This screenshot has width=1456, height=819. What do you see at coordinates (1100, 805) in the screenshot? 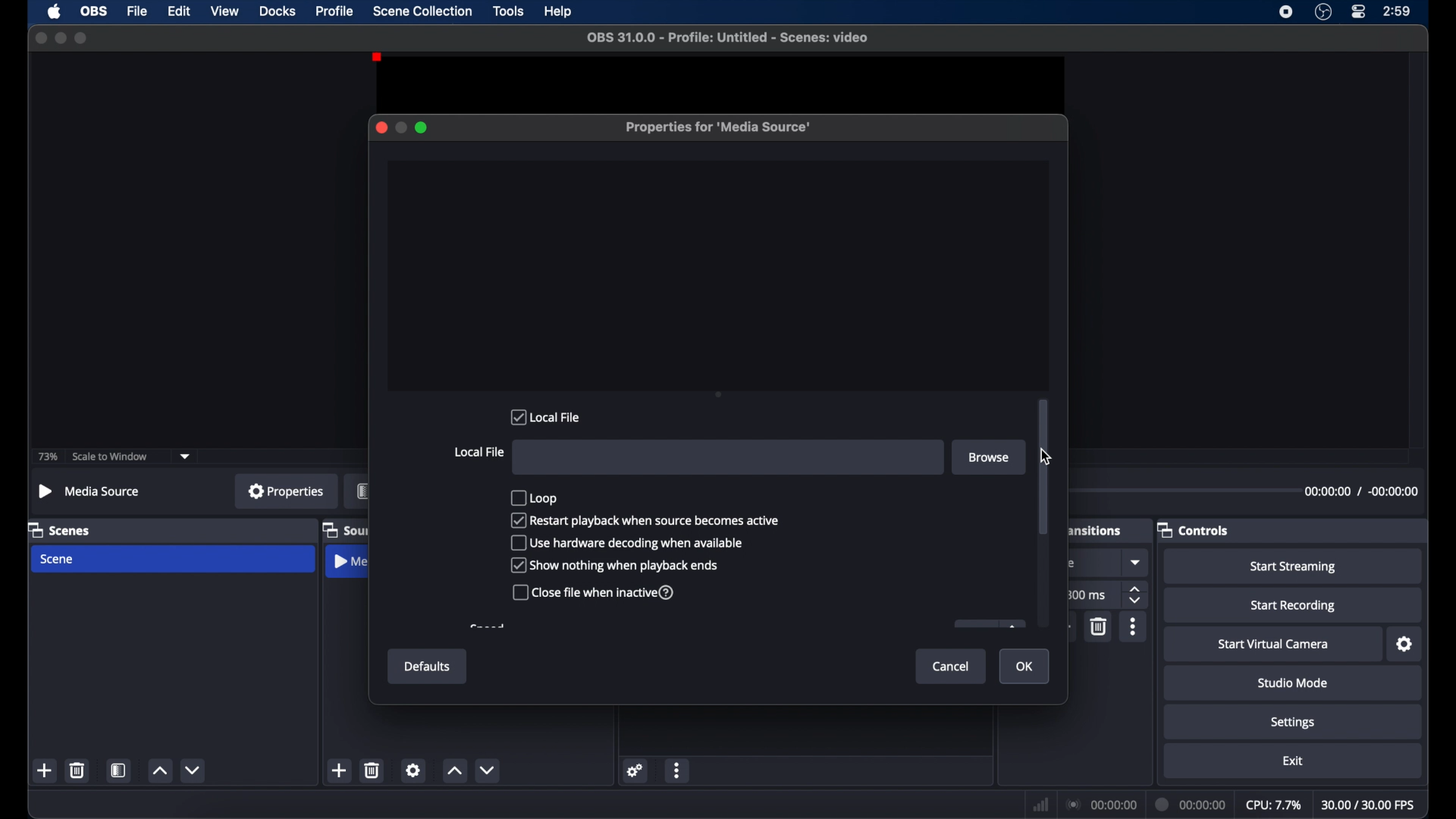
I see `connection` at bounding box center [1100, 805].